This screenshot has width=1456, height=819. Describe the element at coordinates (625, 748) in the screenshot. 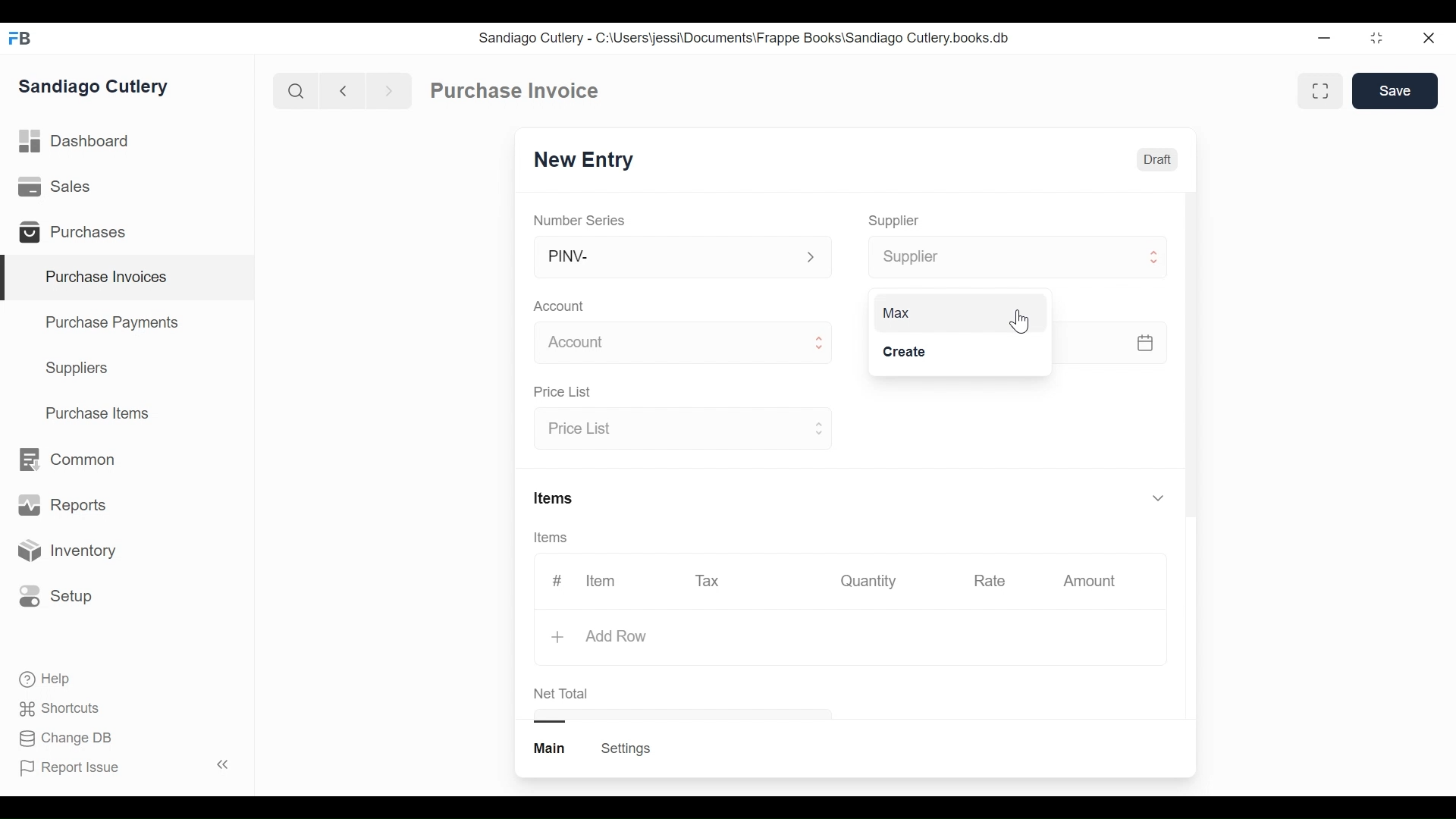

I see `Settings` at that location.